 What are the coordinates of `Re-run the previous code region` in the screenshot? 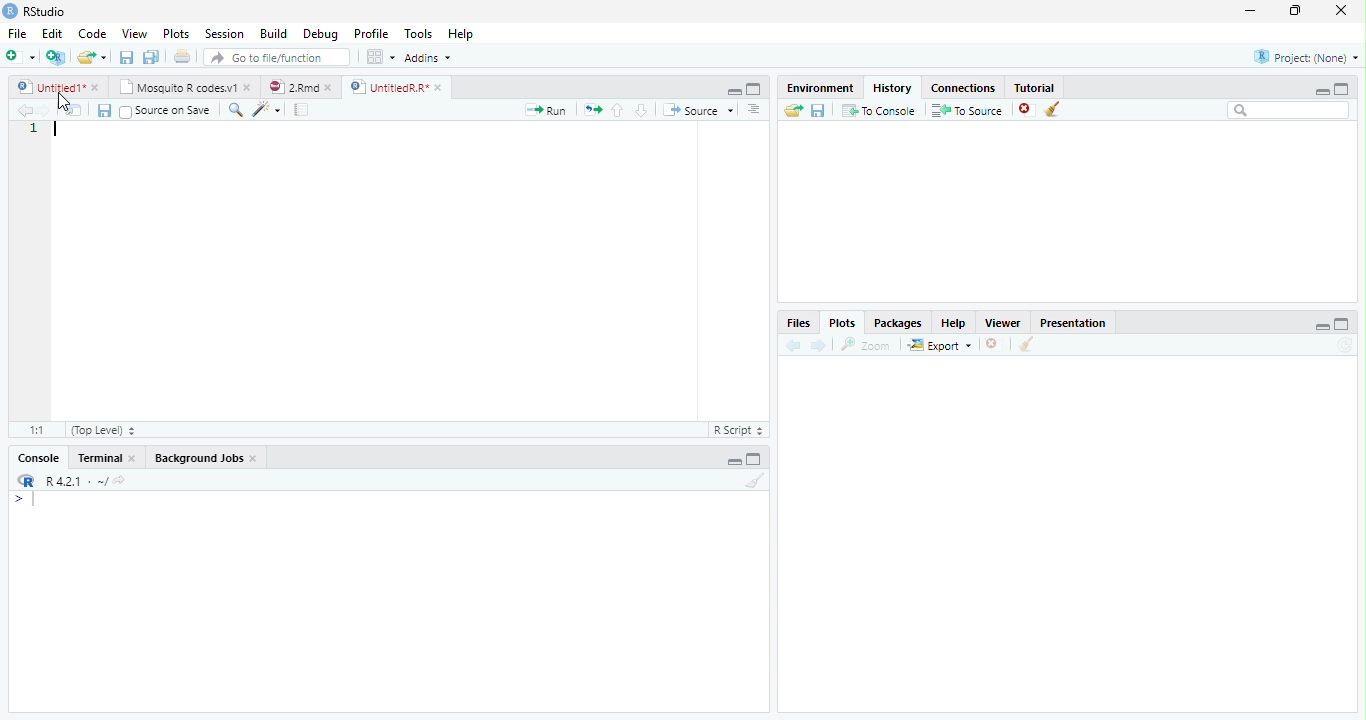 It's located at (592, 110).